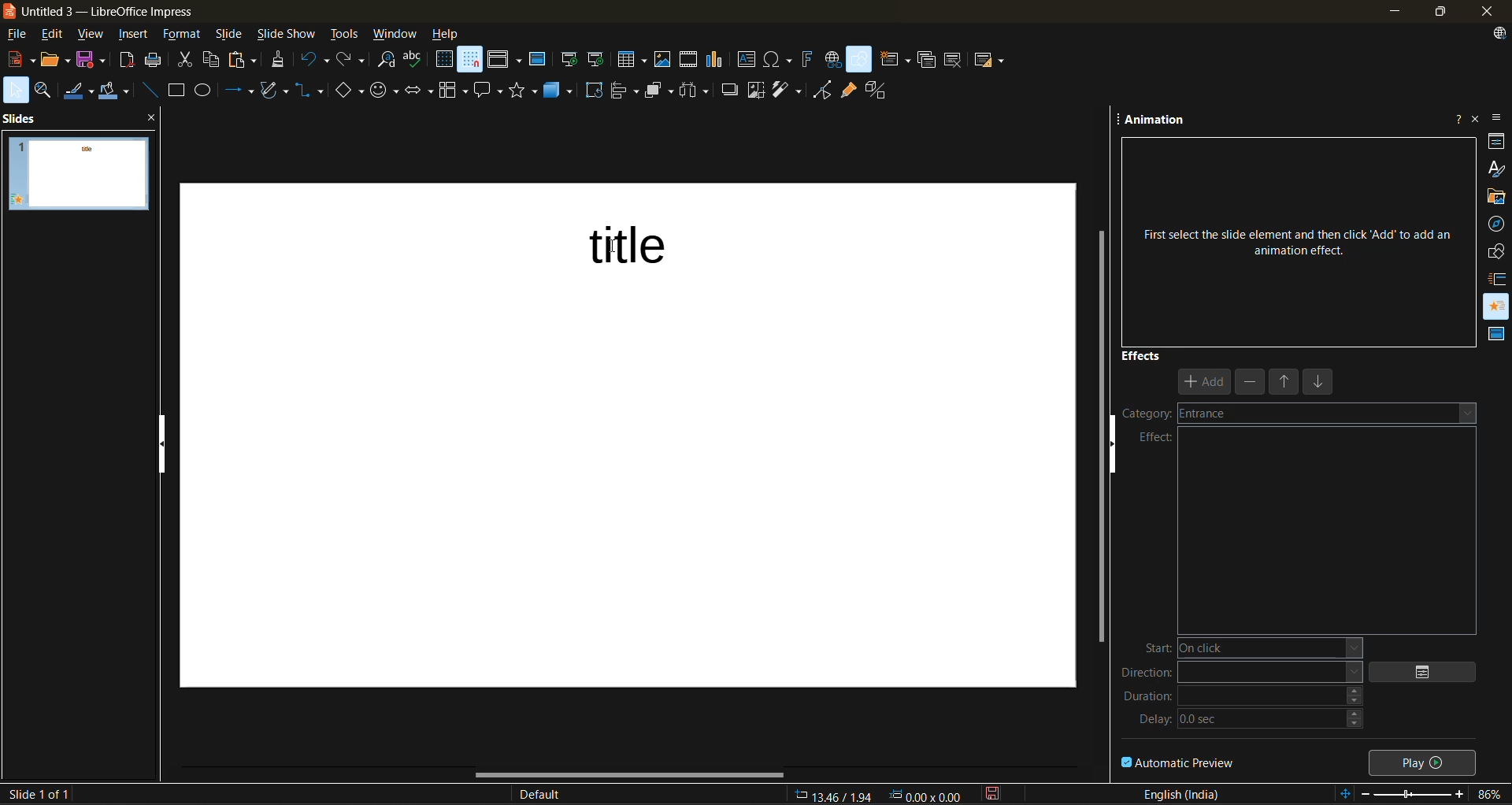 The width and height of the screenshot is (1512, 805). Describe the element at coordinates (1497, 140) in the screenshot. I see `properties` at that location.